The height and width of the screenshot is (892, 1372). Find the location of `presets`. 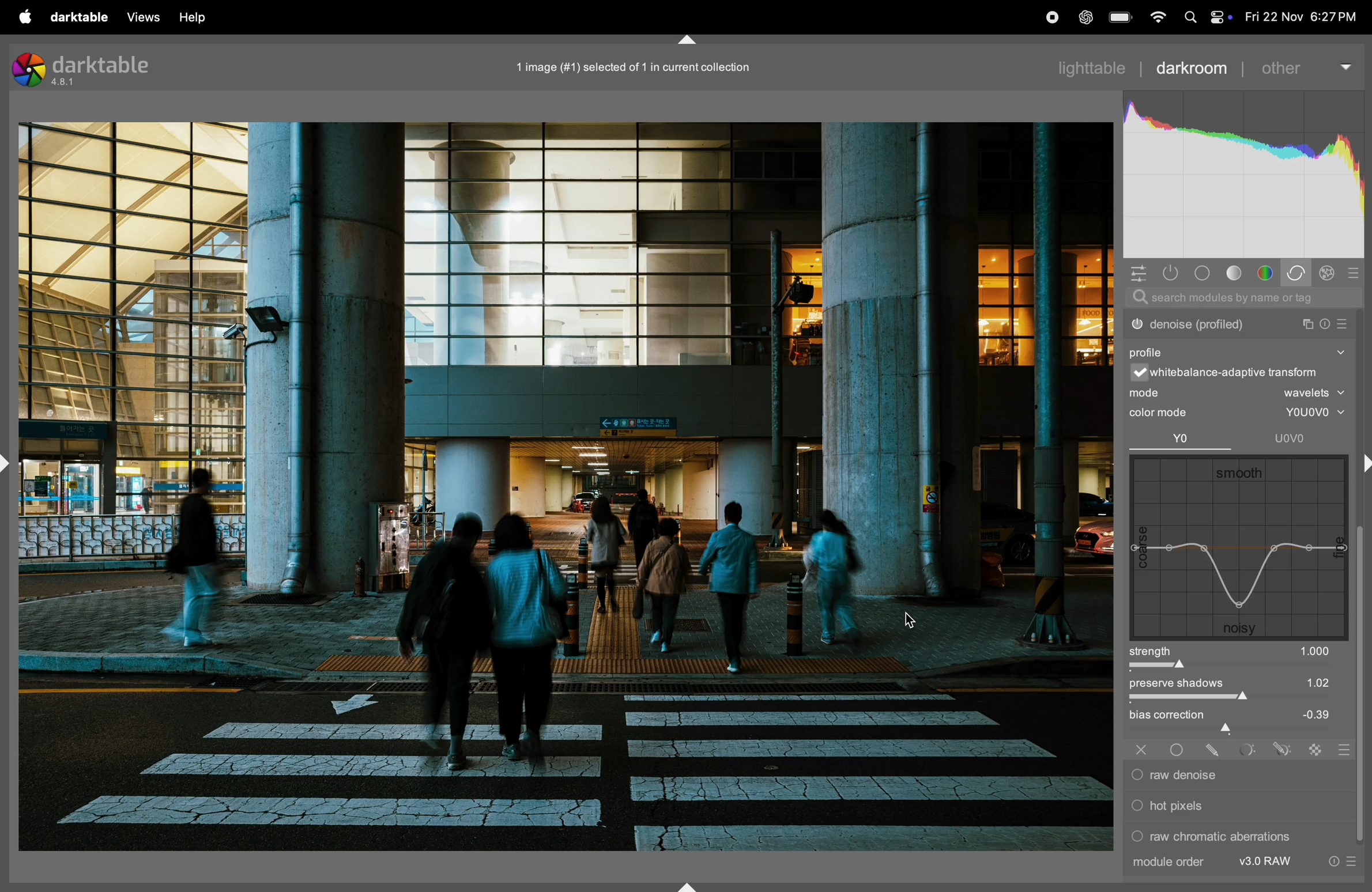

presets is located at coordinates (1342, 324).